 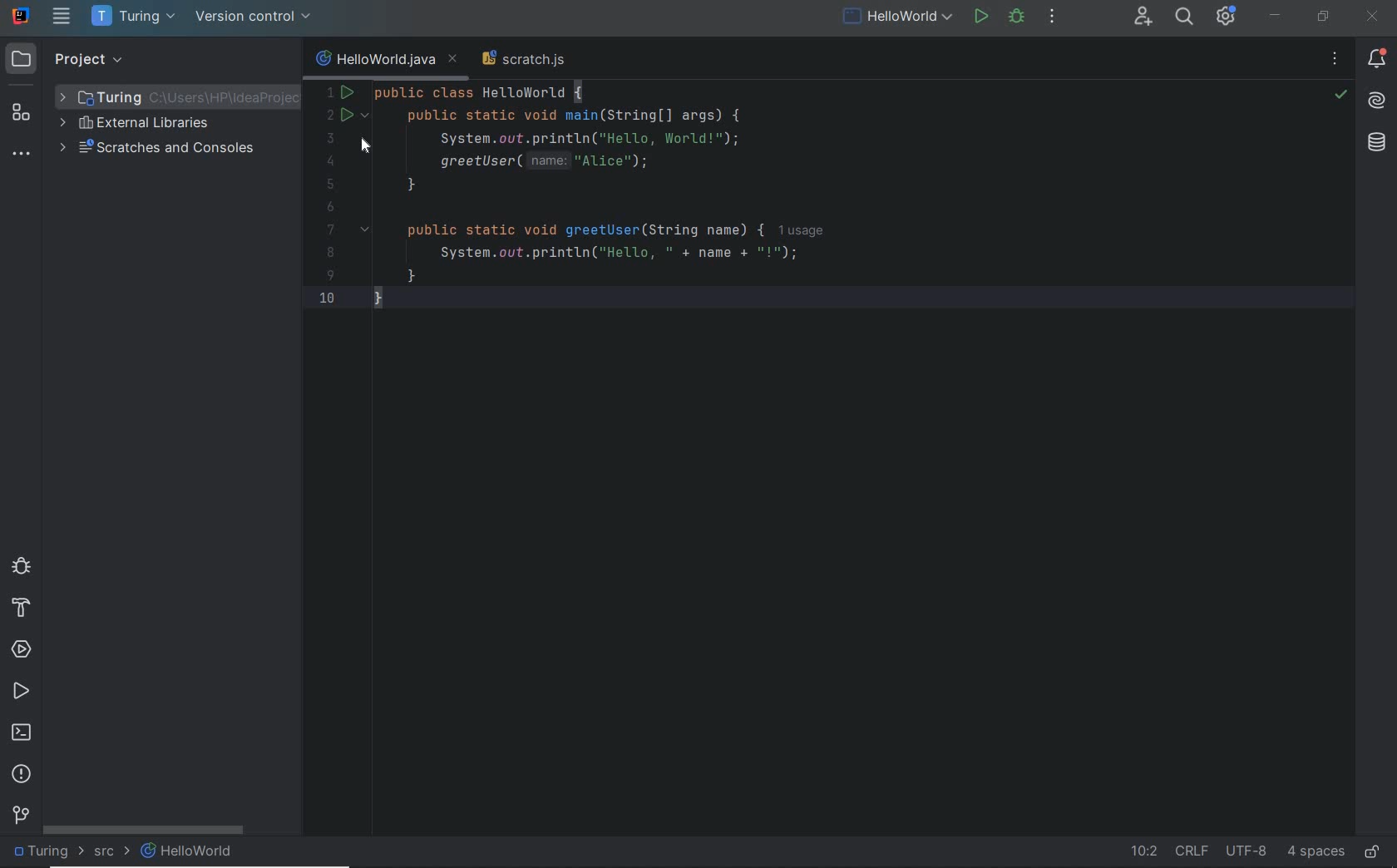 What do you see at coordinates (23, 813) in the screenshot?
I see `Git` at bounding box center [23, 813].